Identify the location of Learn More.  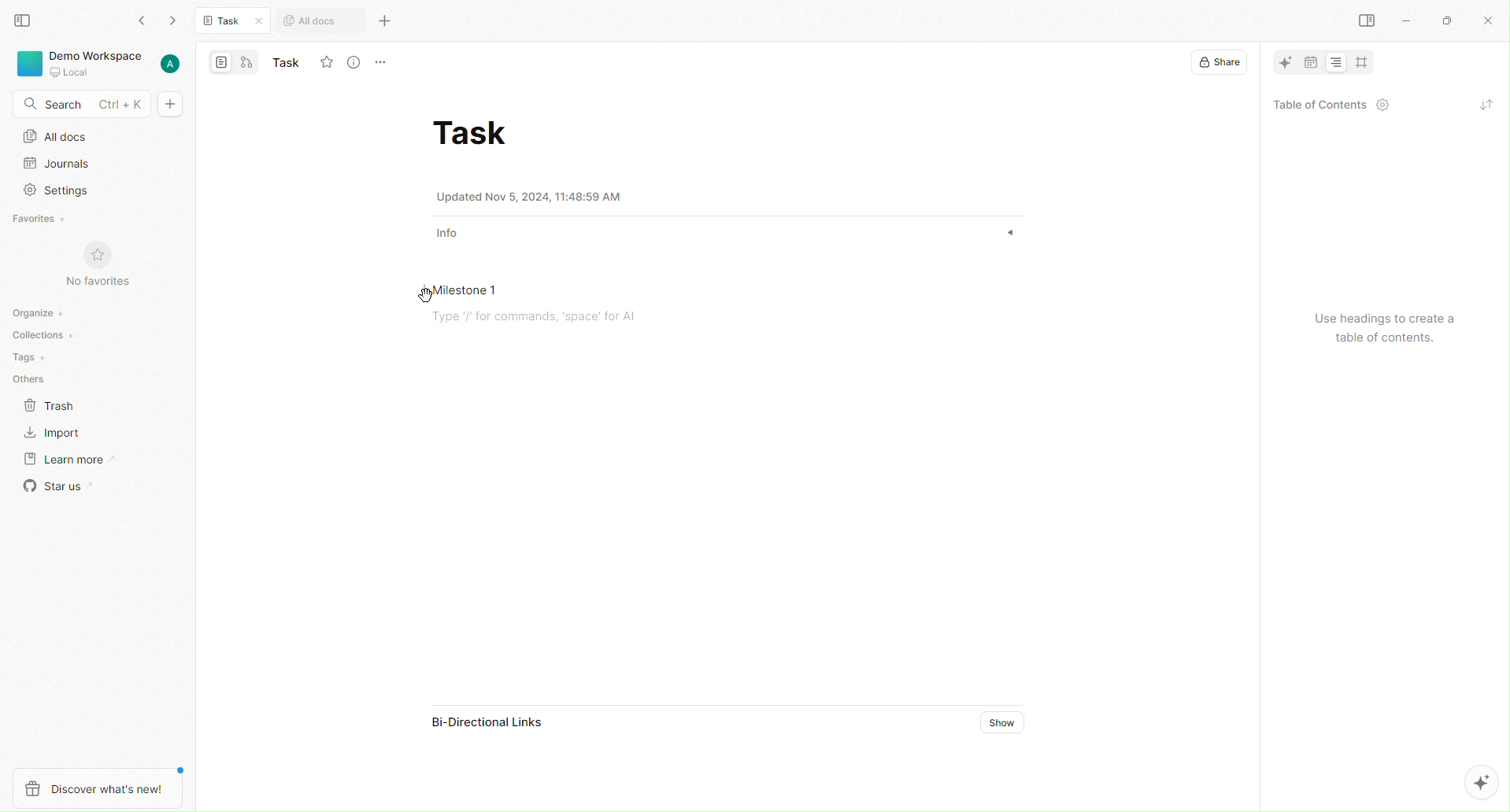
(80, 460).